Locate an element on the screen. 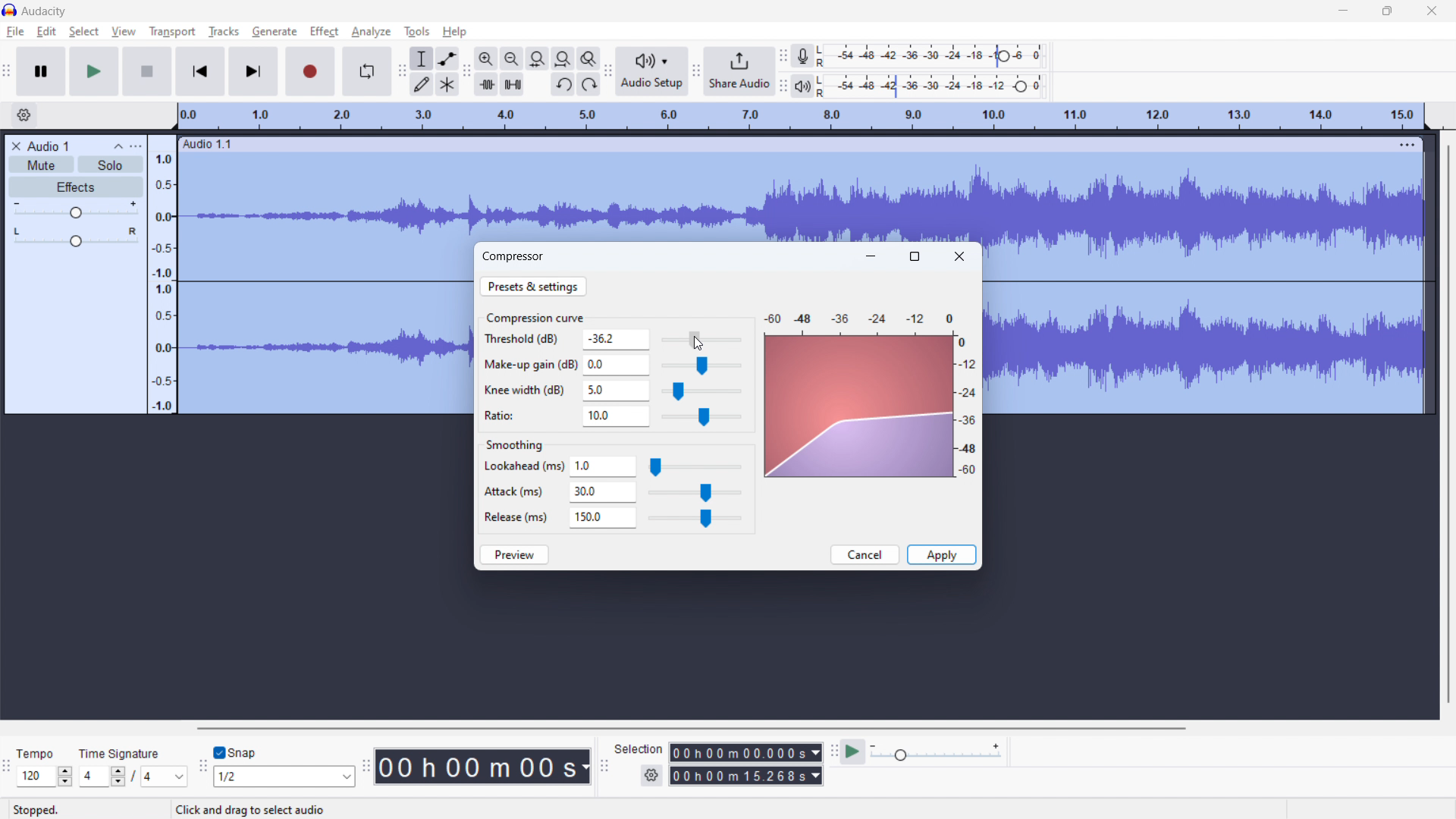 This screenshot has width=1456, height=819. fit project to width is located at coordinates (563, 58).